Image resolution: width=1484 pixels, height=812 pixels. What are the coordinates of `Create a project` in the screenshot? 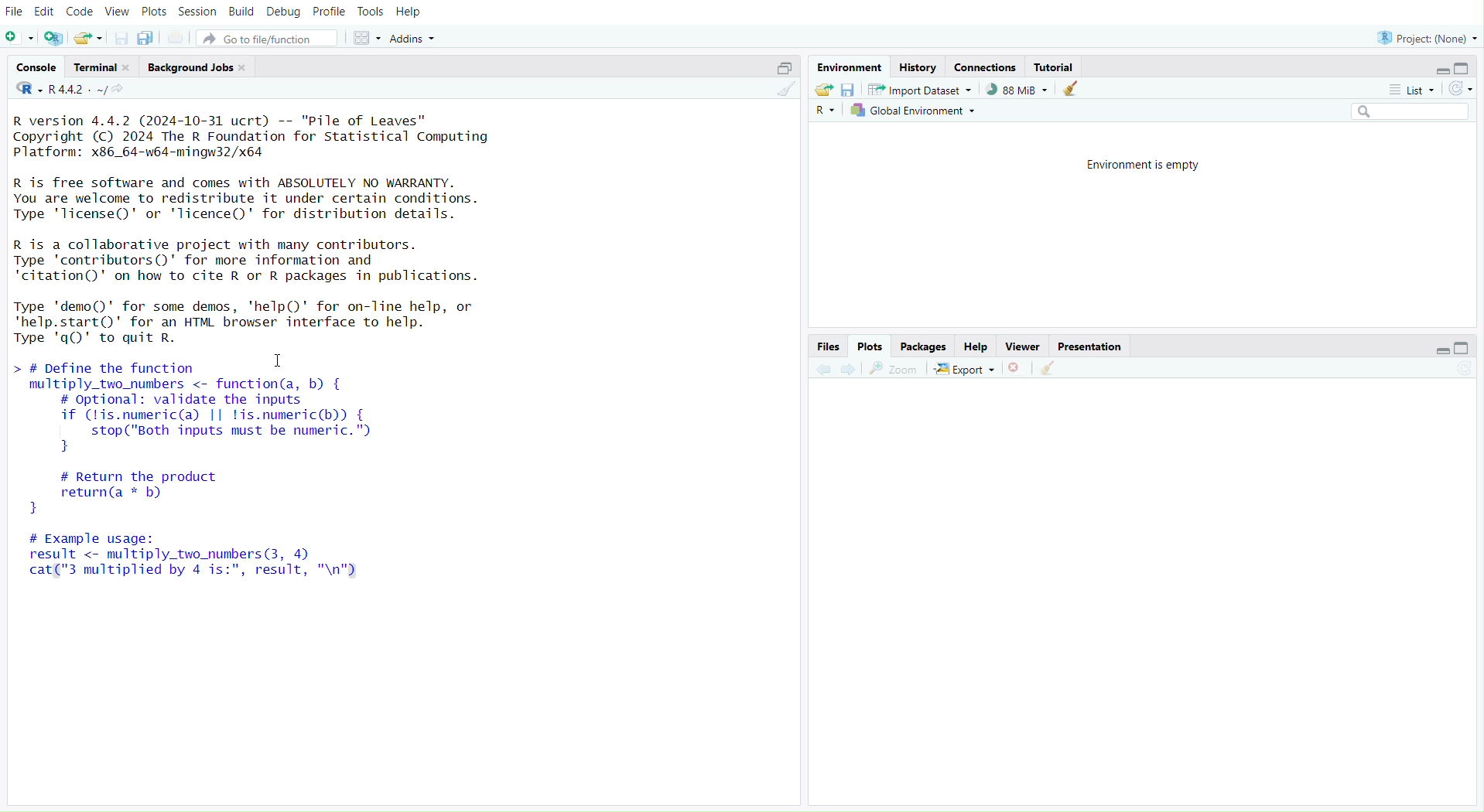 It's located at (55, 35).